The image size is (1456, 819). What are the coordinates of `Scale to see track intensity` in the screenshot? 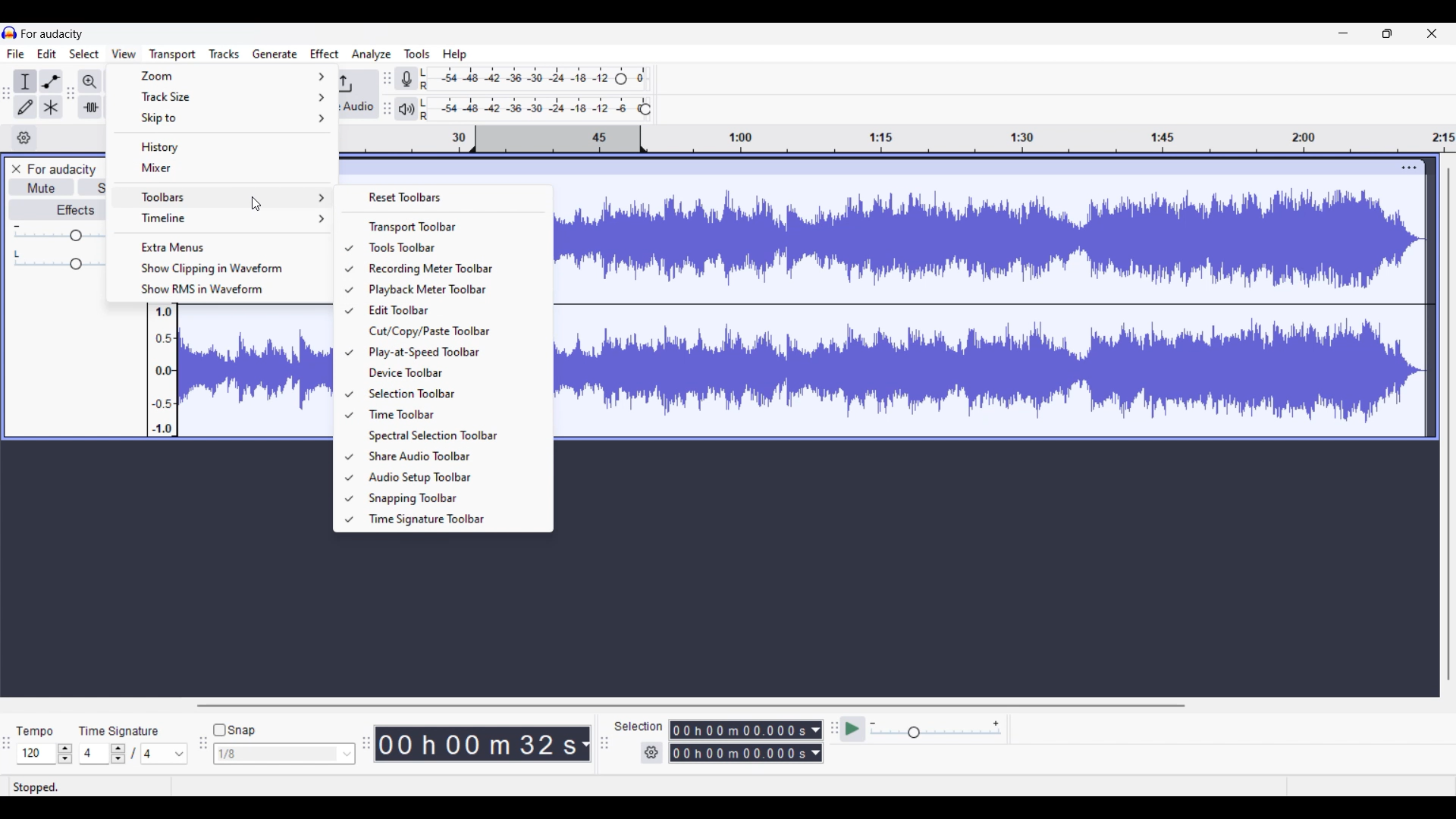 It's located at (163, 370).